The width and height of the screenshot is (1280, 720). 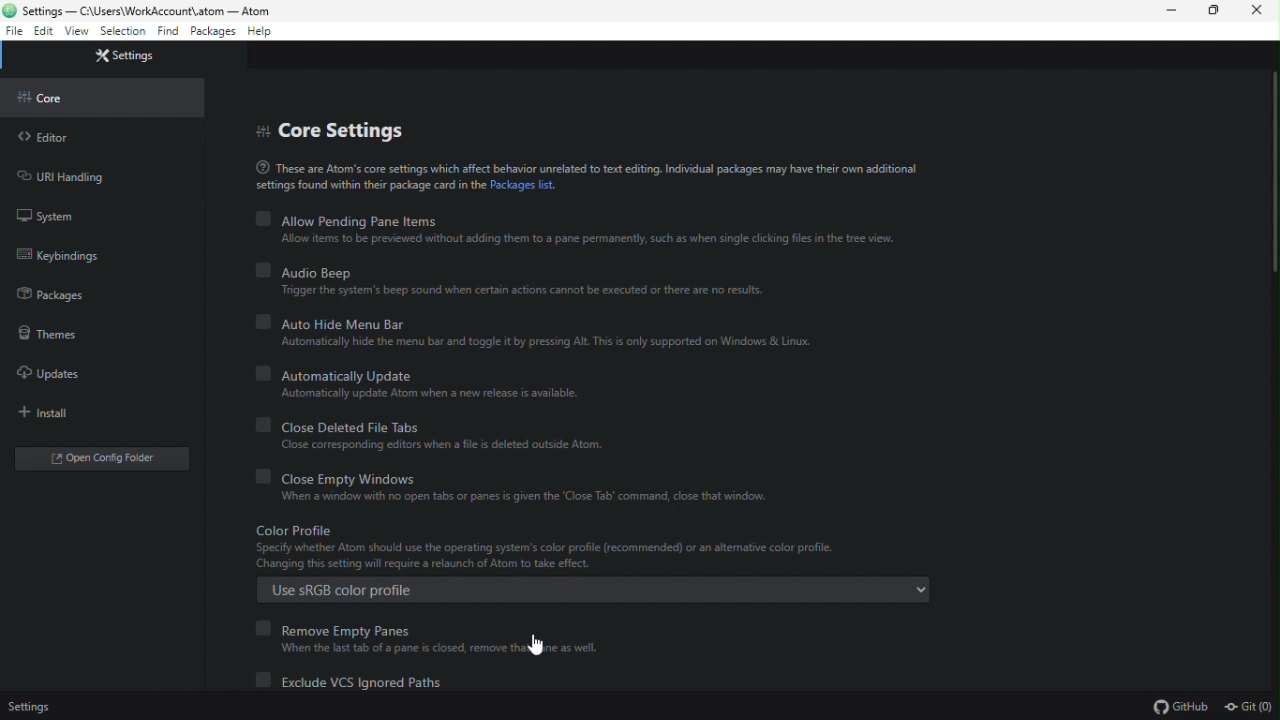 What do you see at coordinates (64, 256) in the screenshot?
I see `keybinding` at bounding box center [64, 256].